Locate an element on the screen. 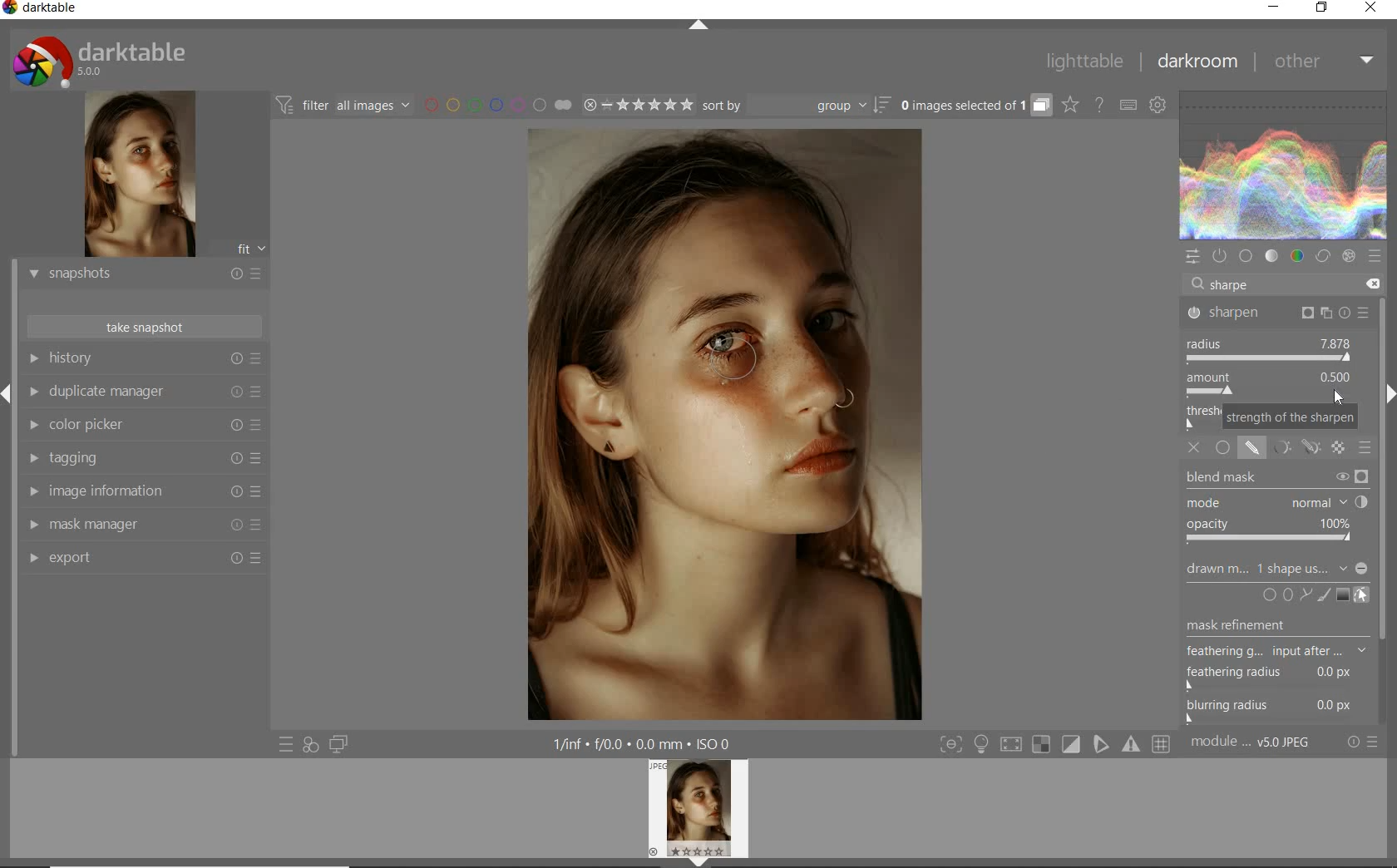 The width and height of the screenshot is (1397, 868). reset or presets & preferences is located at coordinates (1364, 742).